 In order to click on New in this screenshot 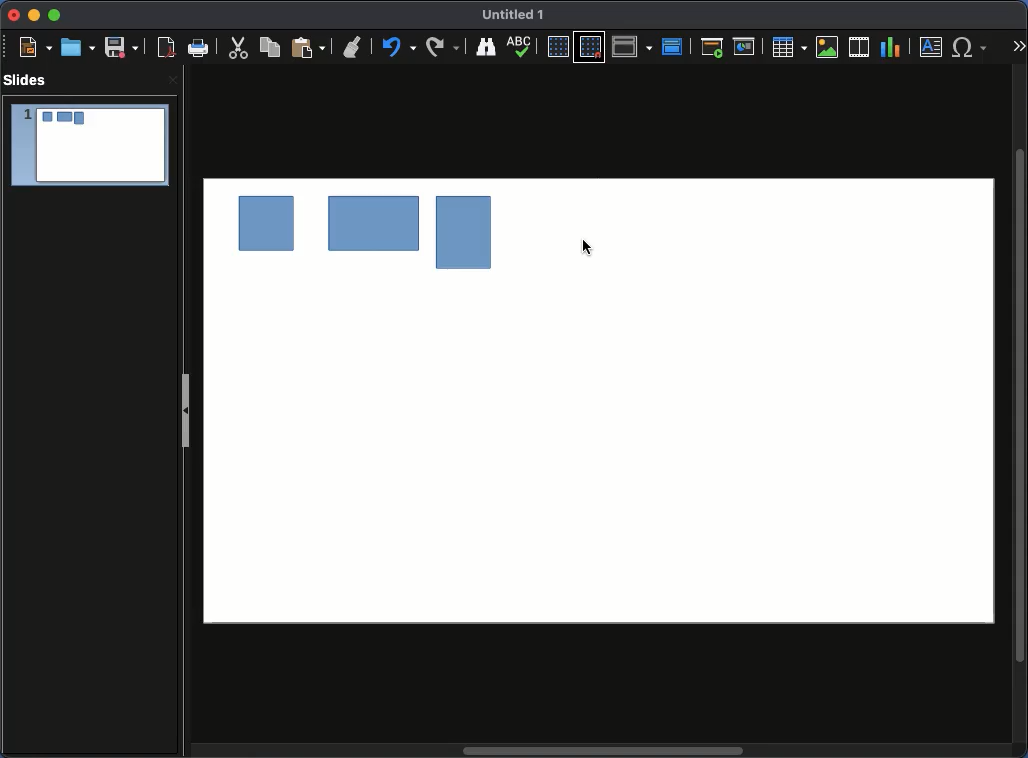, I will do `click(30, 47)`.